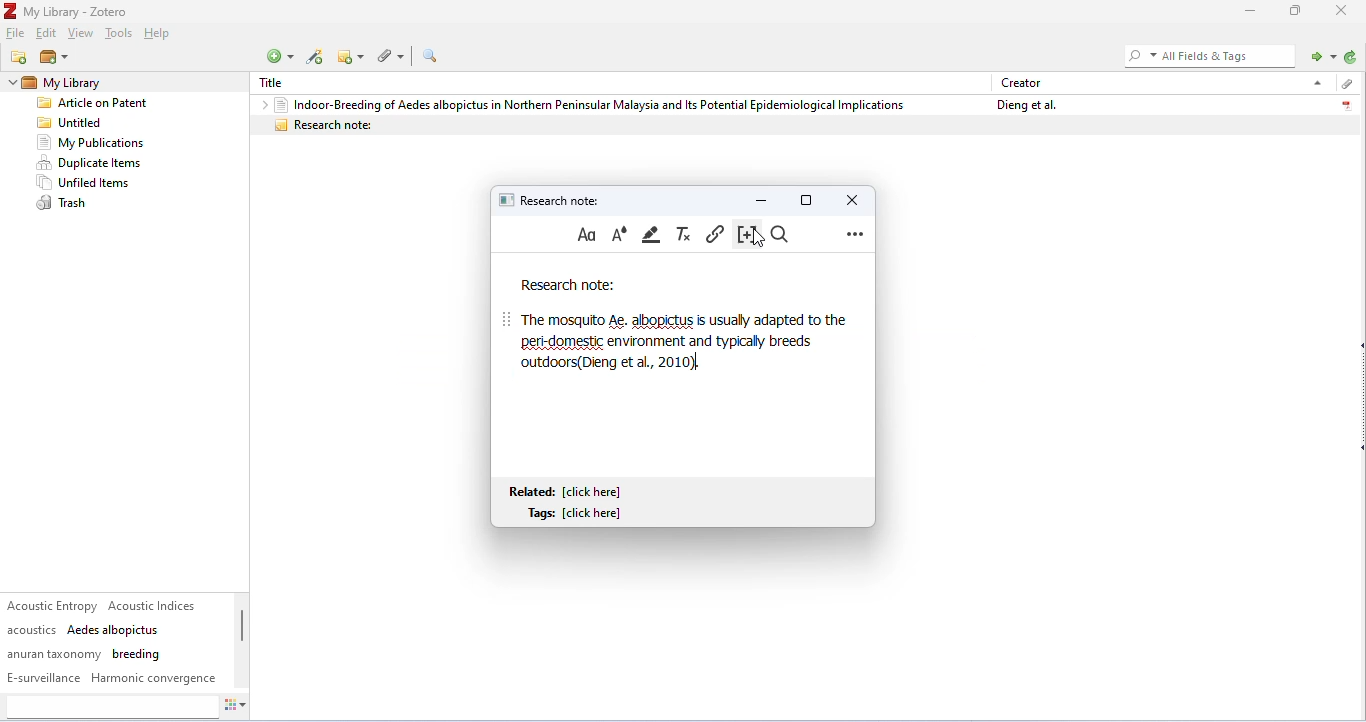  What do you see at coordinates (685, 234) in the screenshot?
I see `clear formatting` at bounding box center [685, 234].